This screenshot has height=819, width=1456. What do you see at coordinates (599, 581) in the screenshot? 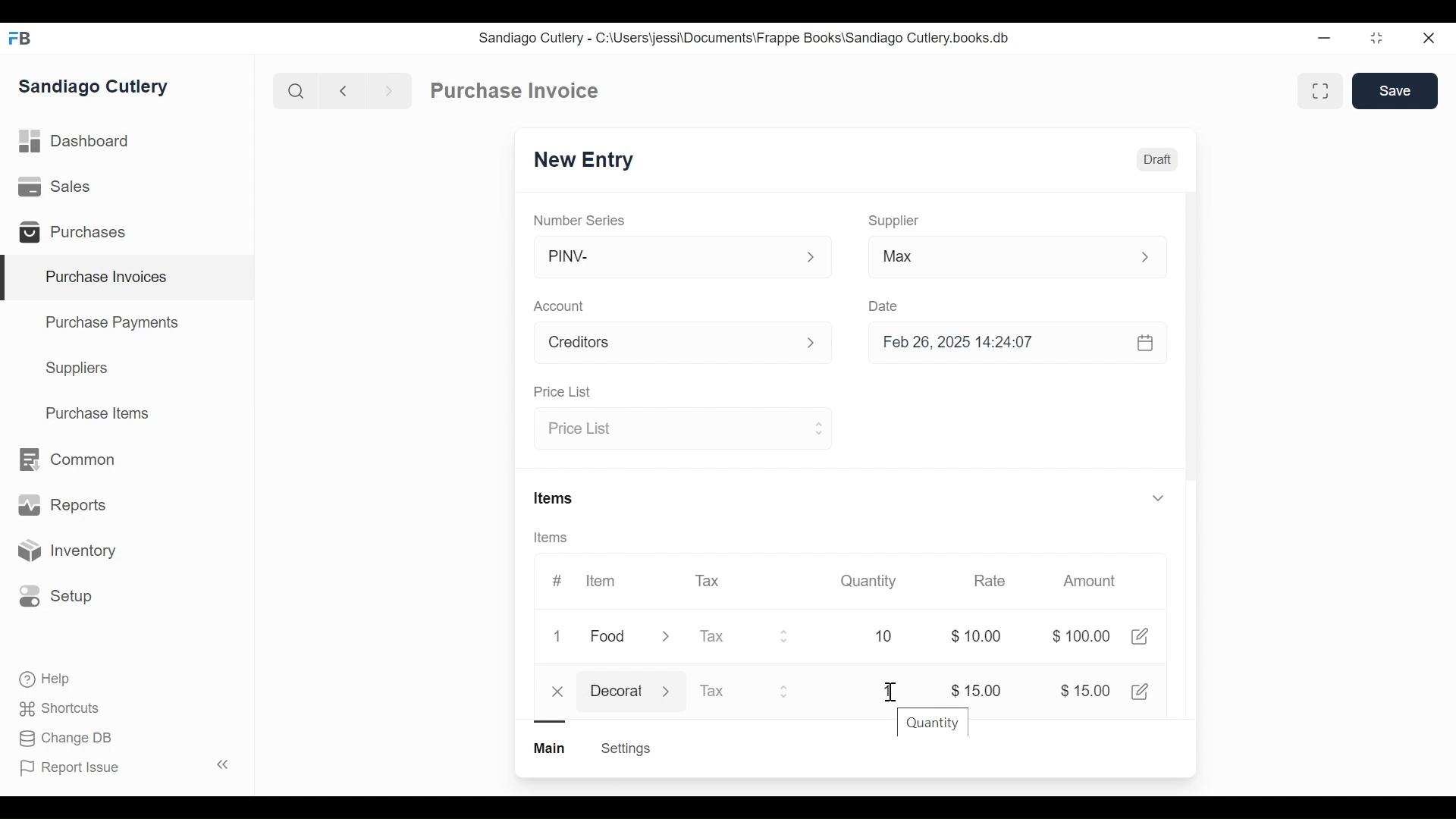
I see `Item` at bounding box center [599, 581].